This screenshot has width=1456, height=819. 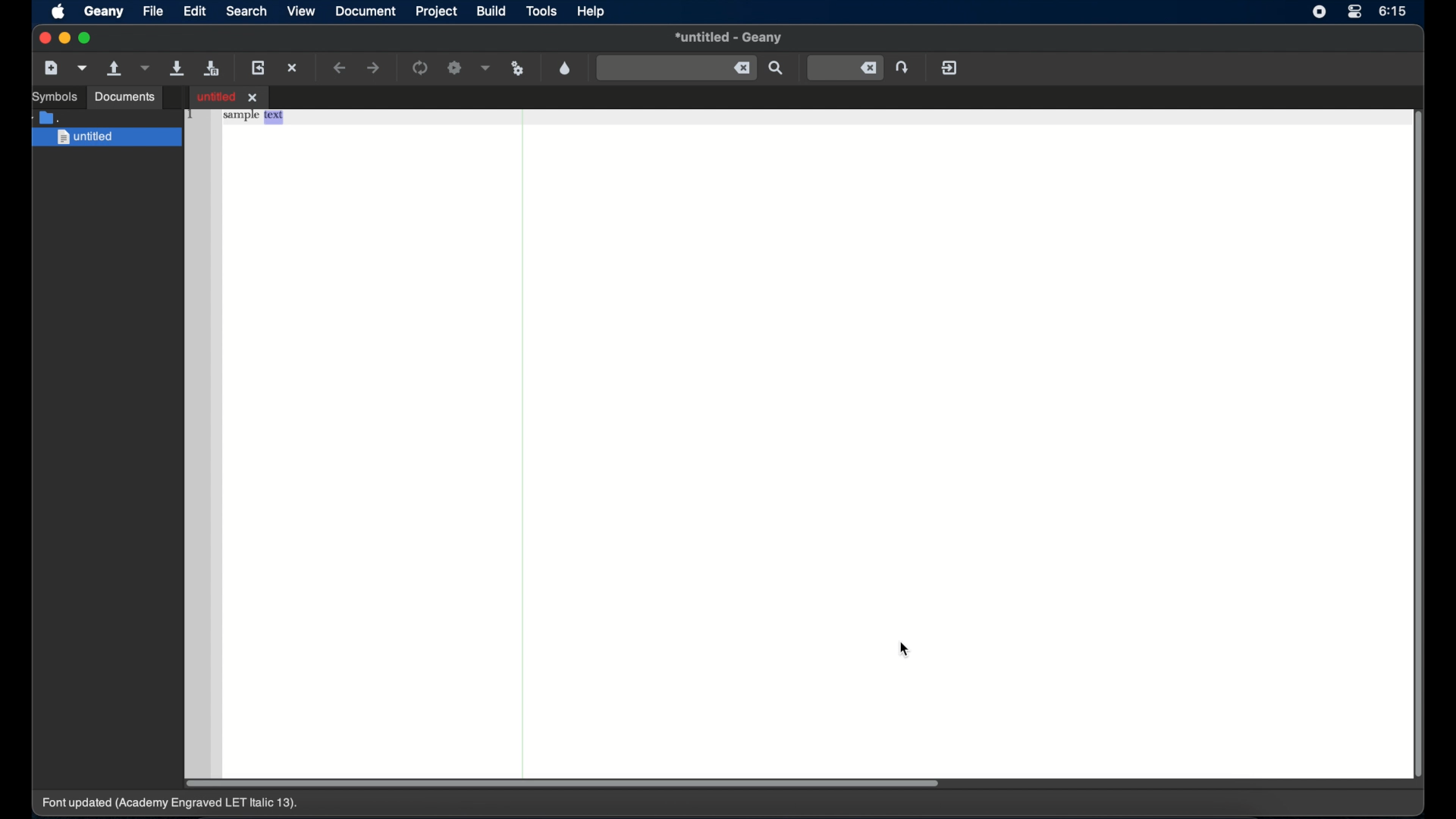 I want to click on documents, so click(x=126, y=97).